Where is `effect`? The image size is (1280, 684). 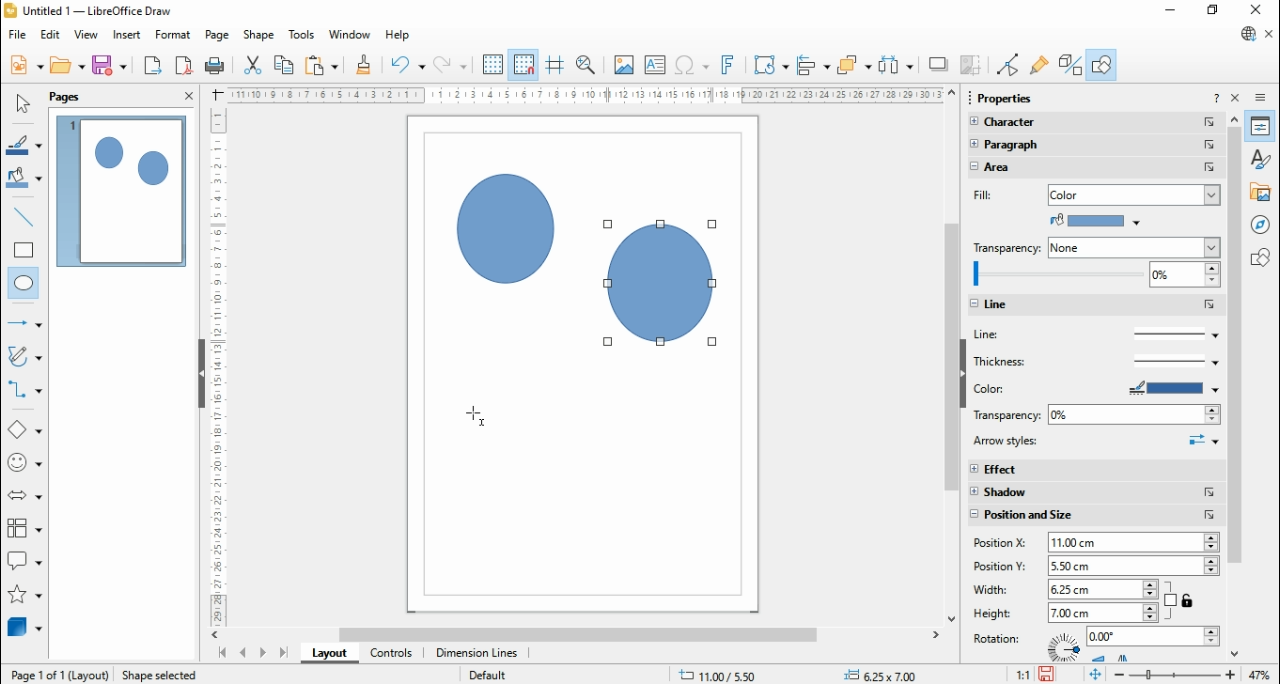
effect is located at coordinates (1095, 468).